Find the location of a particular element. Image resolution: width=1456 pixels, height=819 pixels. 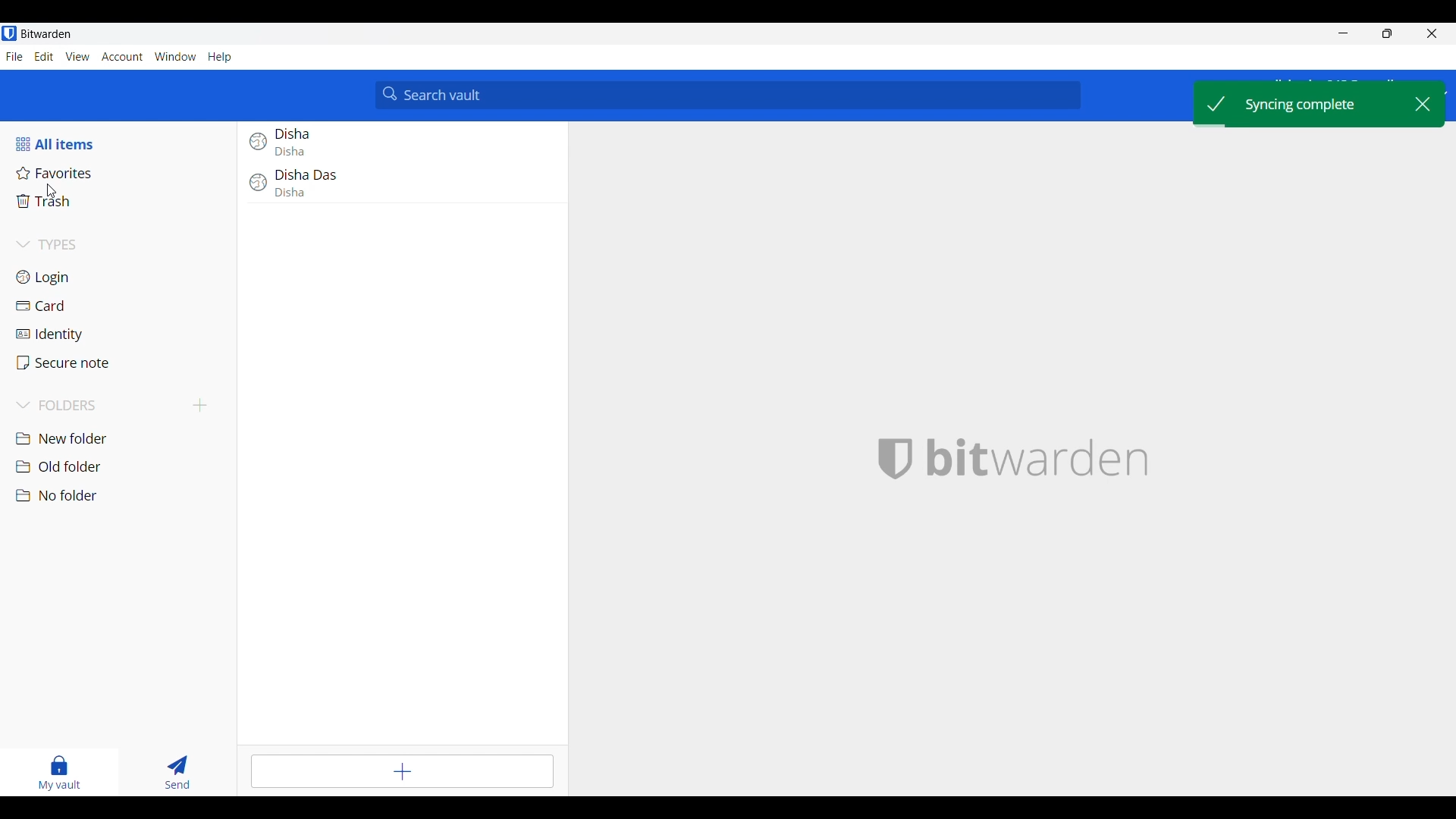

Minimize is located at coordinates (1344, 33).